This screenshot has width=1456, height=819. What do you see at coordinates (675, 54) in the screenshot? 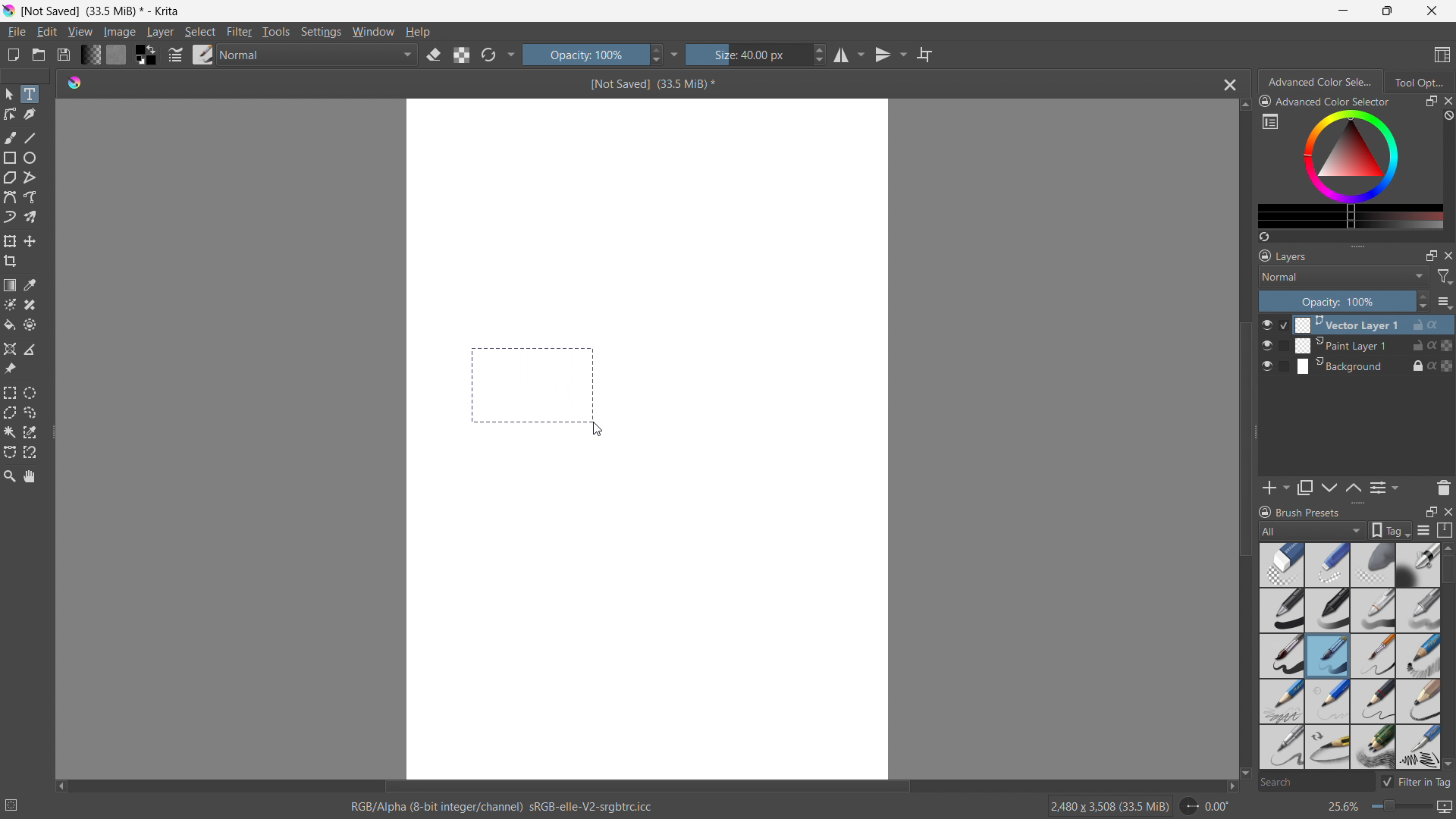
I see `more settings` at bounding box center [675, 54].